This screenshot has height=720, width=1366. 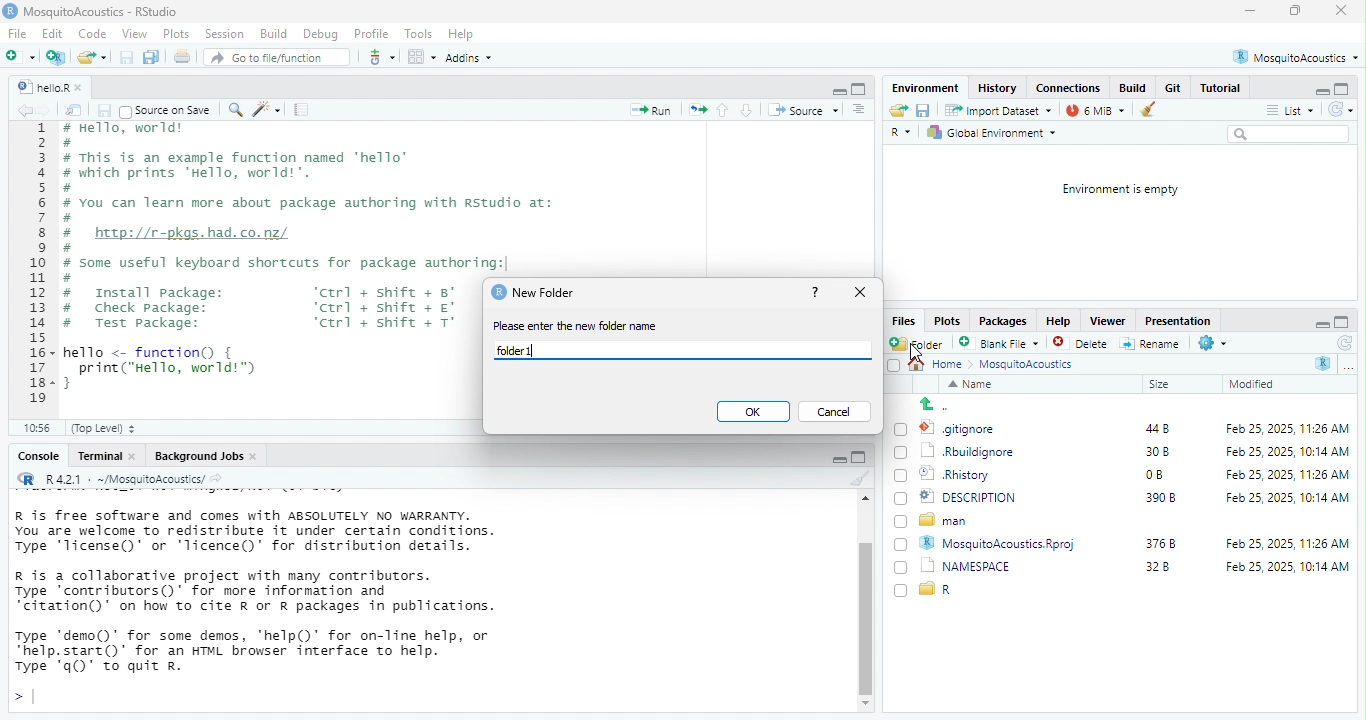 I want to click on checkbox, so click(x=901, y=453).